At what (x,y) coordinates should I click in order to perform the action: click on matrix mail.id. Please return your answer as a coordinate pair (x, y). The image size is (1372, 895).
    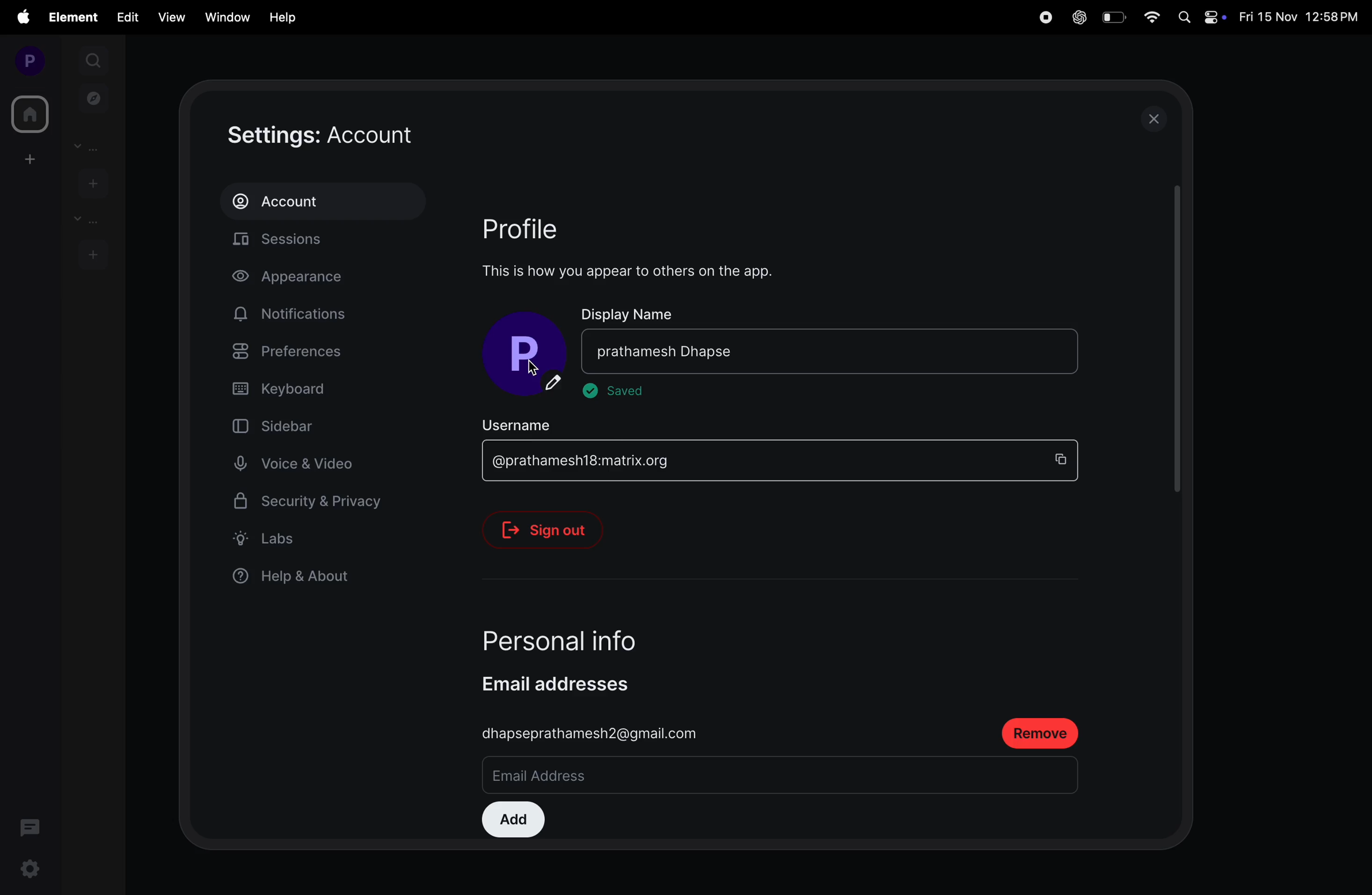
    Looking at the image, I should click on (755, 457).